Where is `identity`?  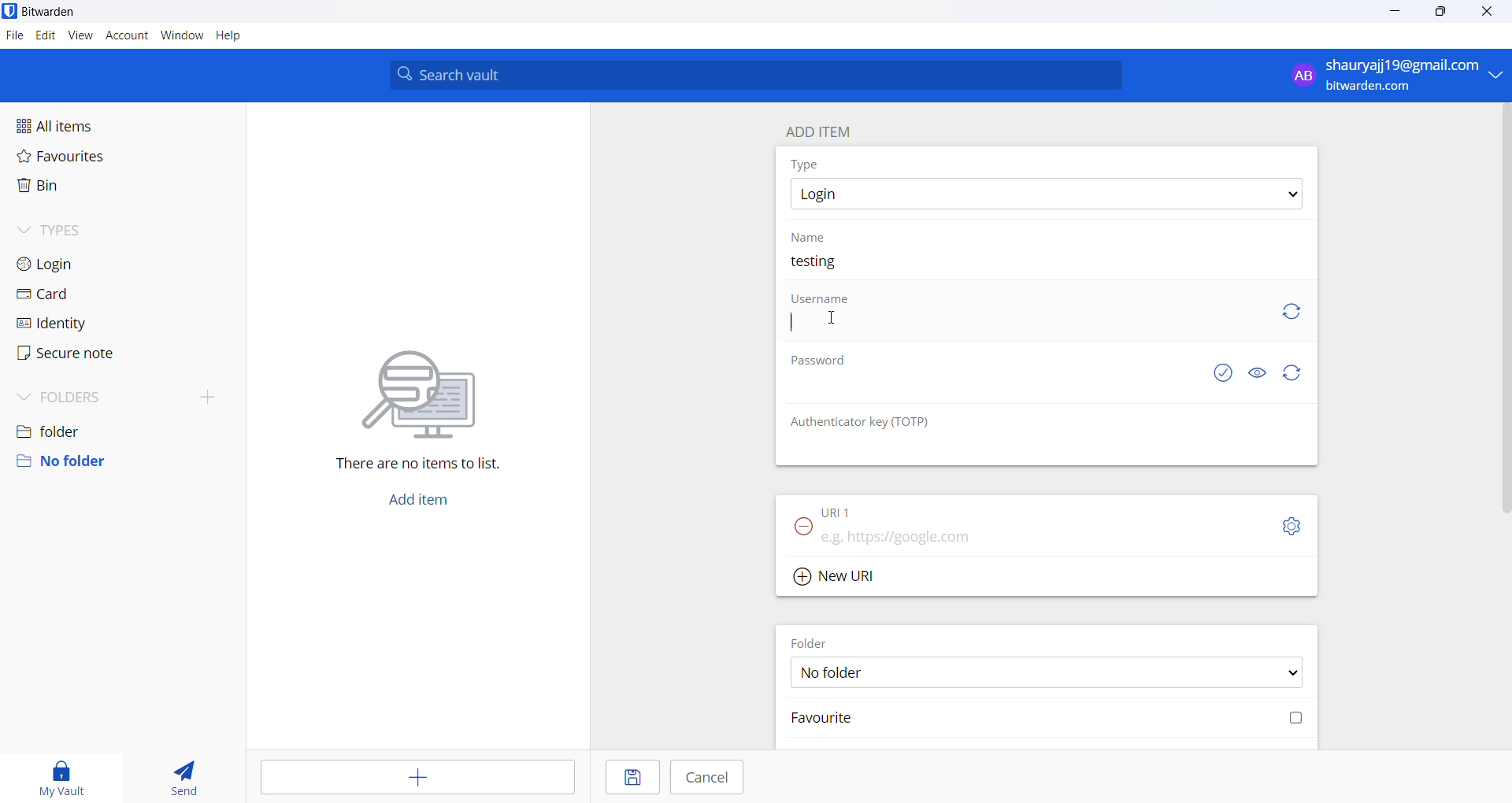
identity is located at coordinates (76, 324).